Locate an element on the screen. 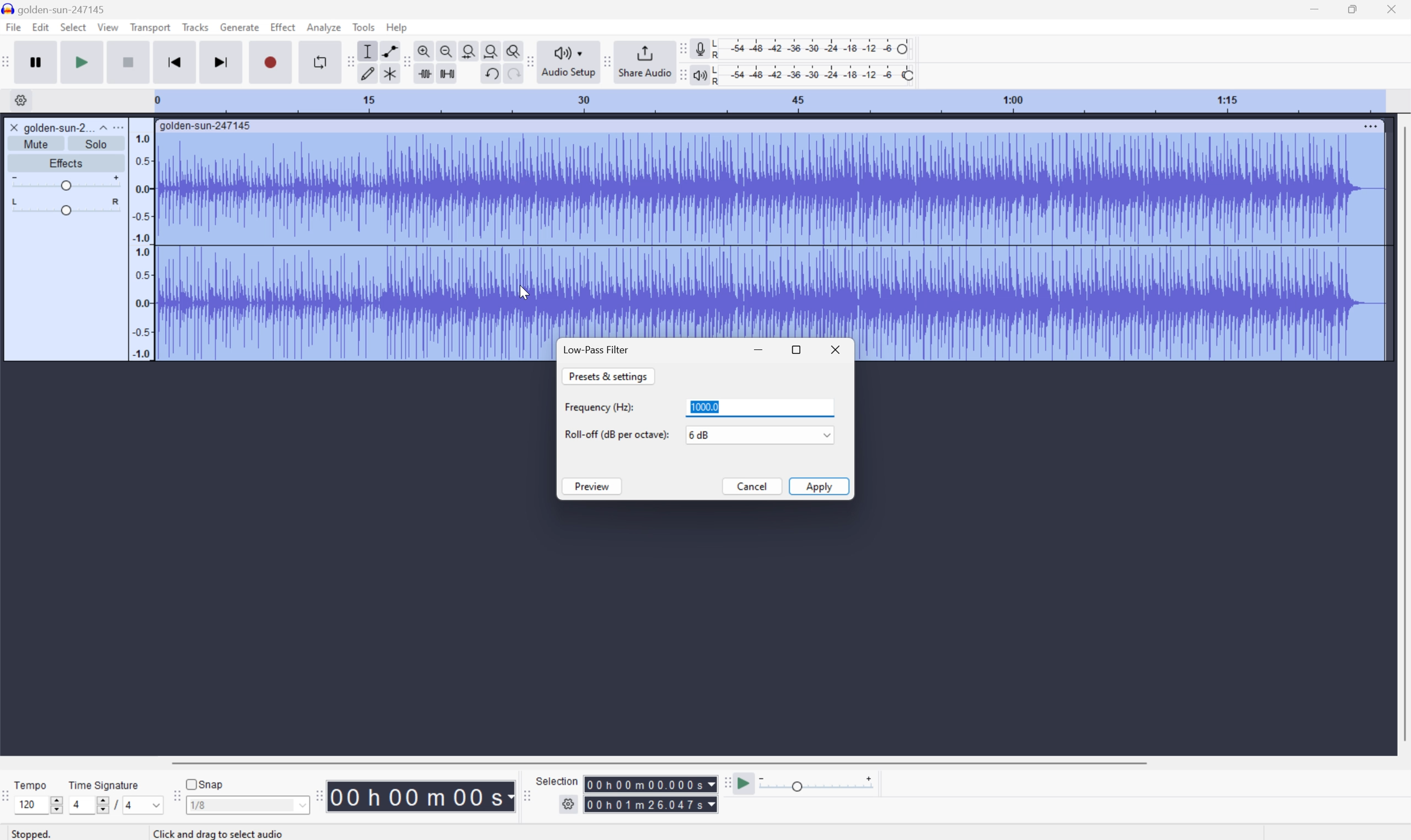 The height and width of the screenshot is (840, 1411). 4 slider is located at coordinates (87, 804).